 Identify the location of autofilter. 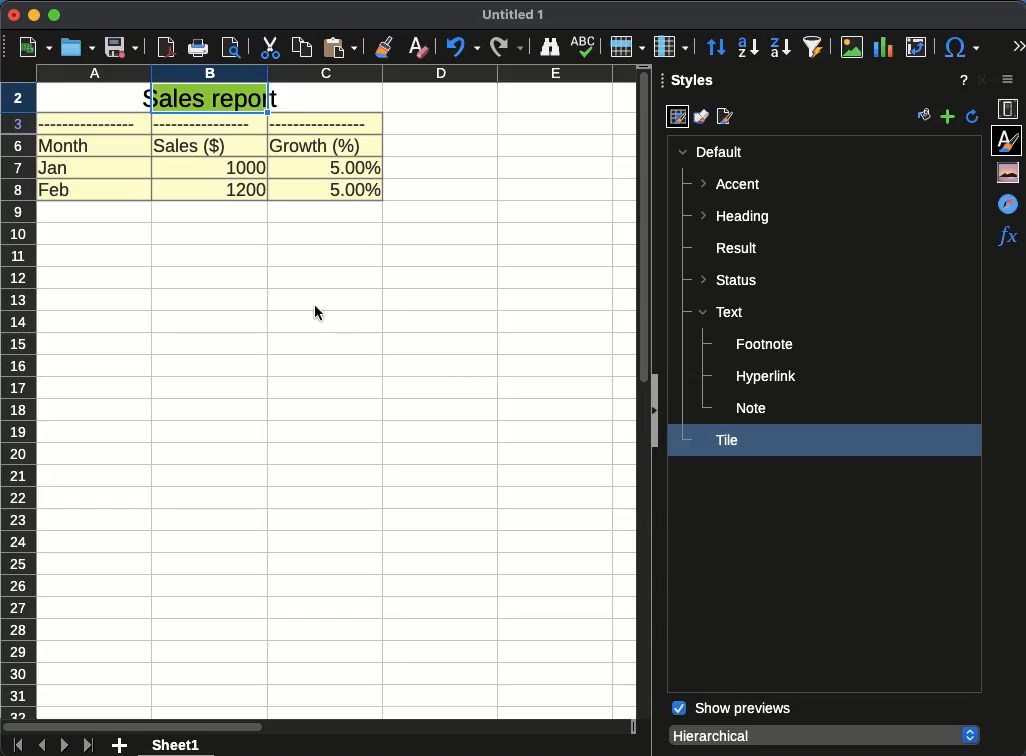
(814, 46).